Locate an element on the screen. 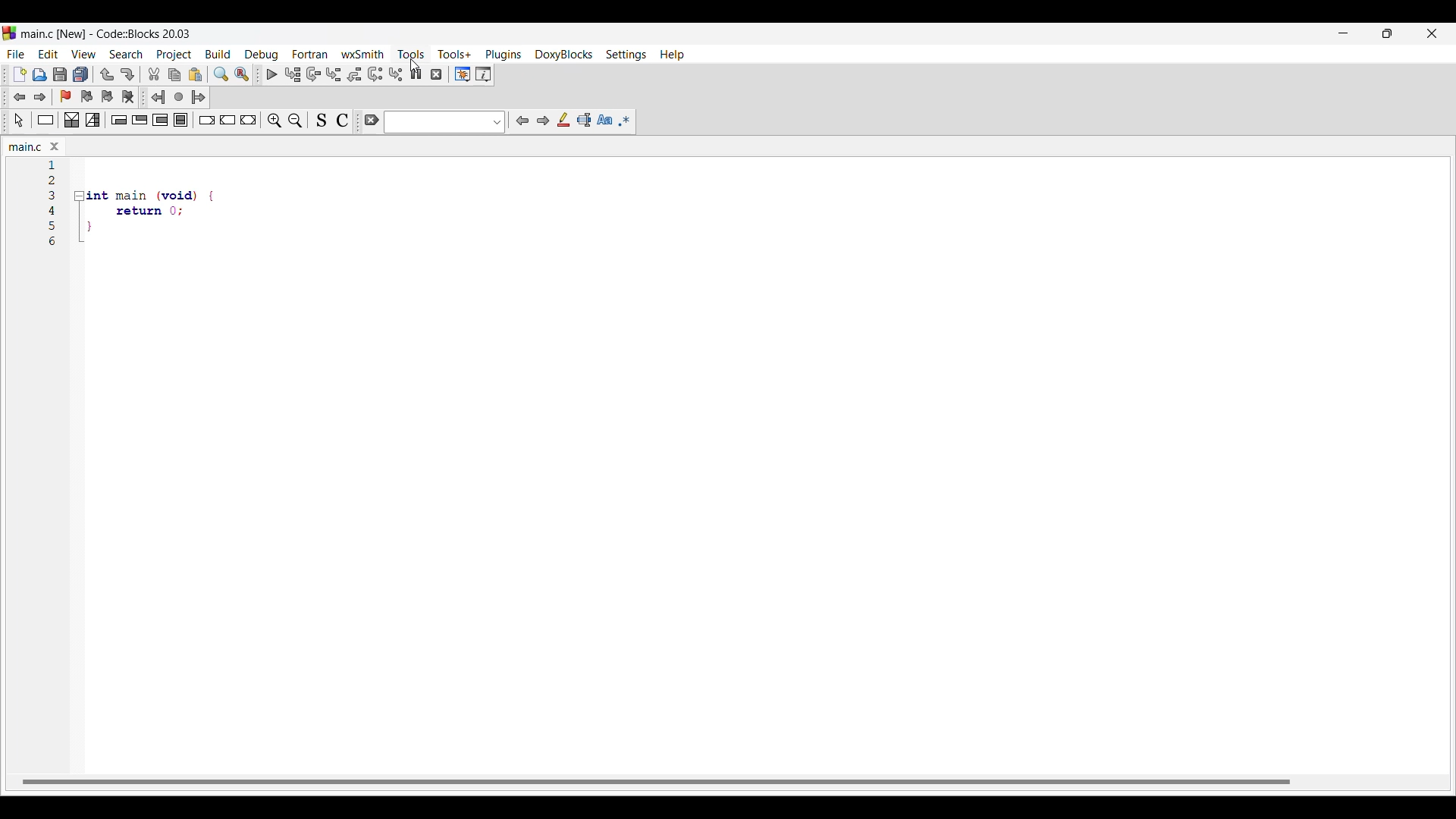 Image resolution: width=1456 pixels, height=819 pixels. Return instruction is located at coordinates (248, 120).